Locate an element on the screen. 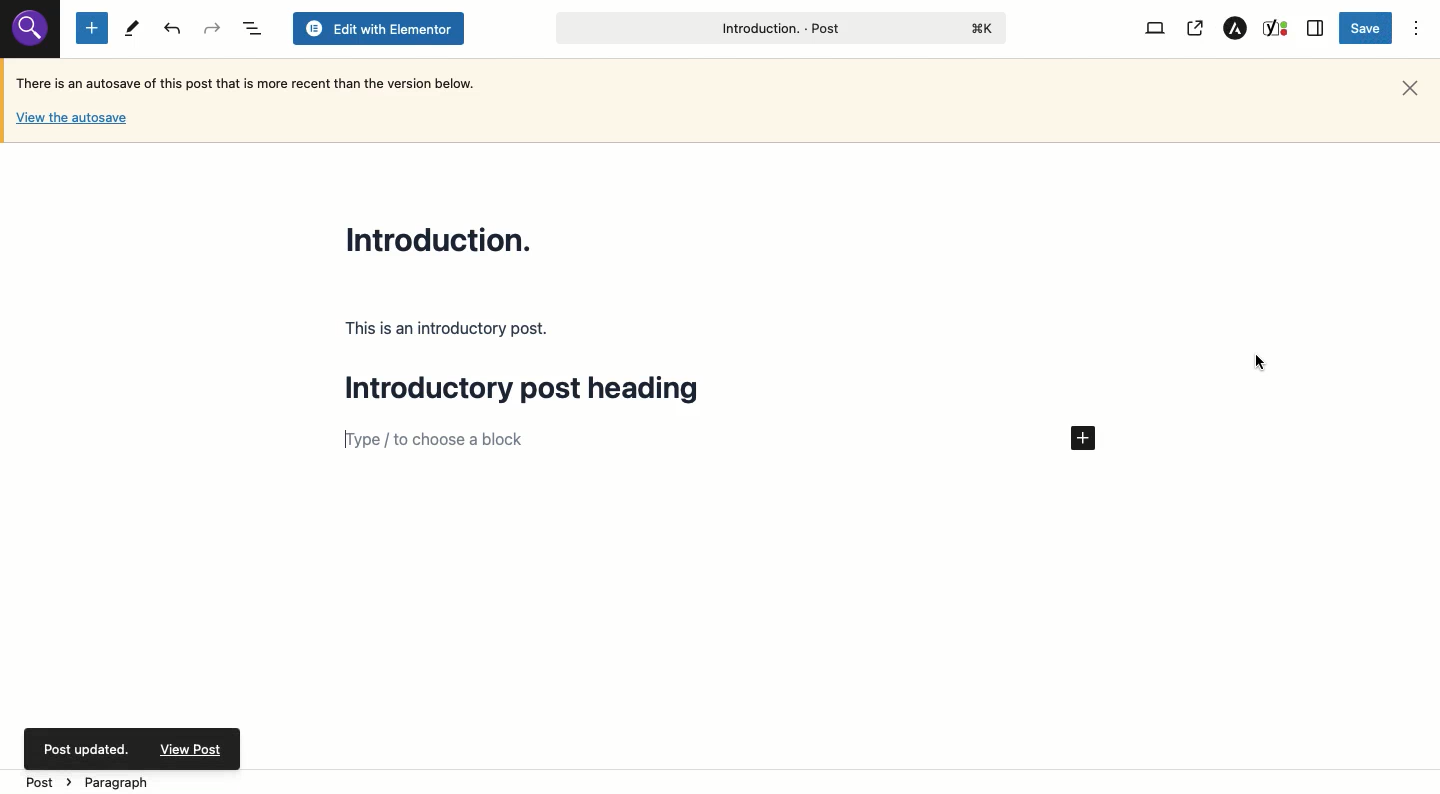 Image resolution: width=1440 pixels, height=794 pixels. Saved is located at coordinates (1364, 28).